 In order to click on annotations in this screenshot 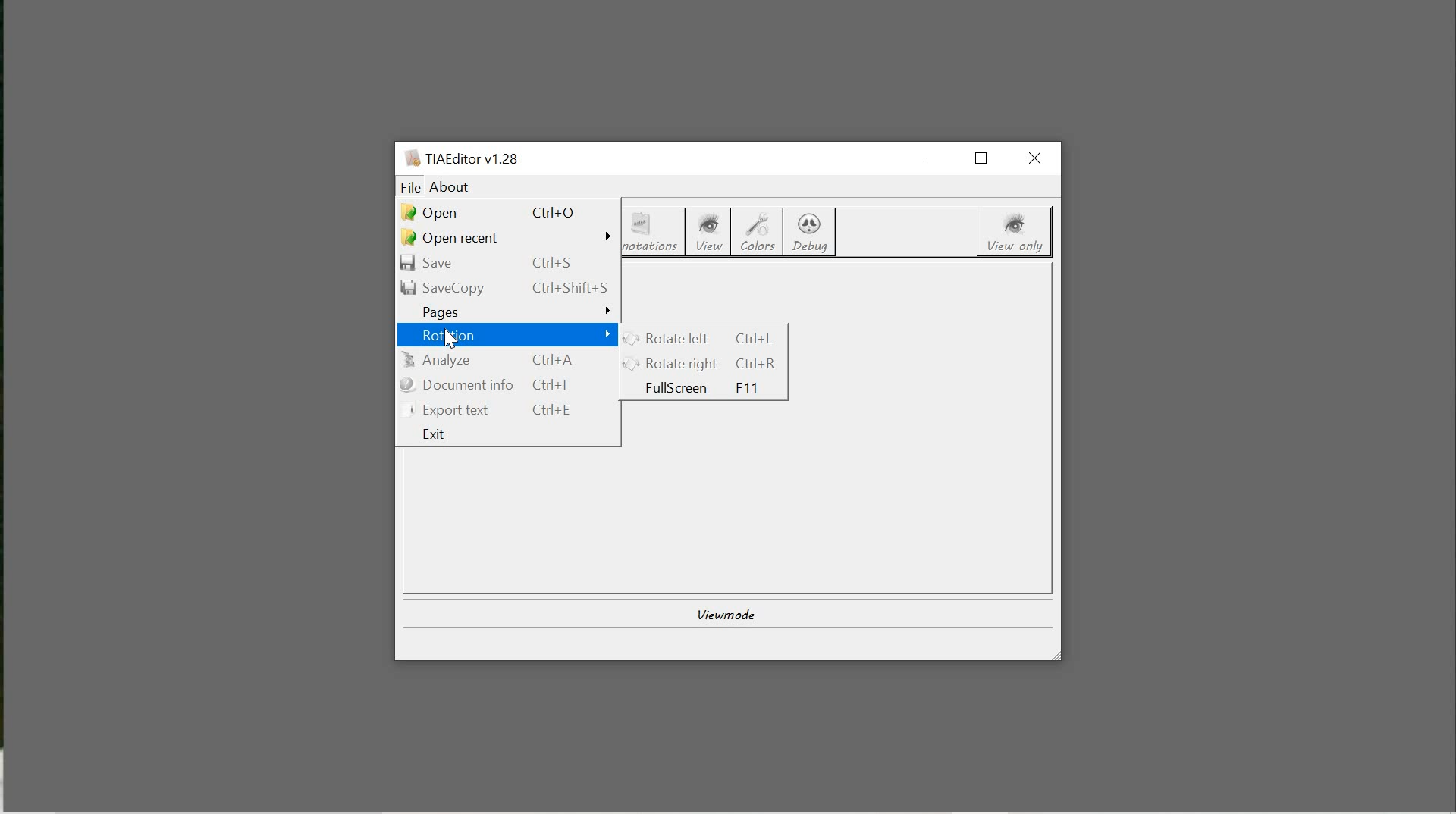, I will do `click(655, 233)`.